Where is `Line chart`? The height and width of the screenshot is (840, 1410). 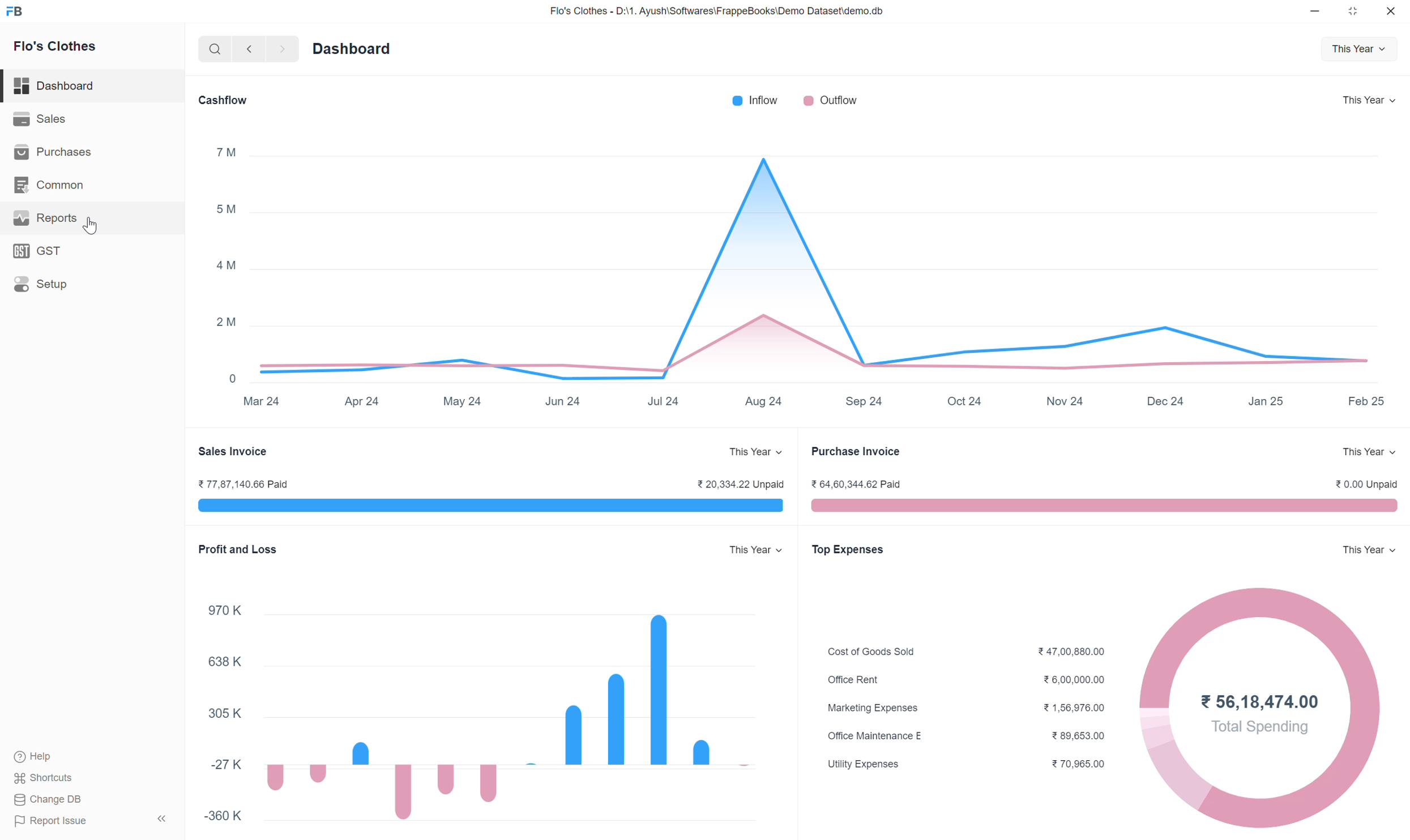
Line chart is located at coordinates (824, 266).